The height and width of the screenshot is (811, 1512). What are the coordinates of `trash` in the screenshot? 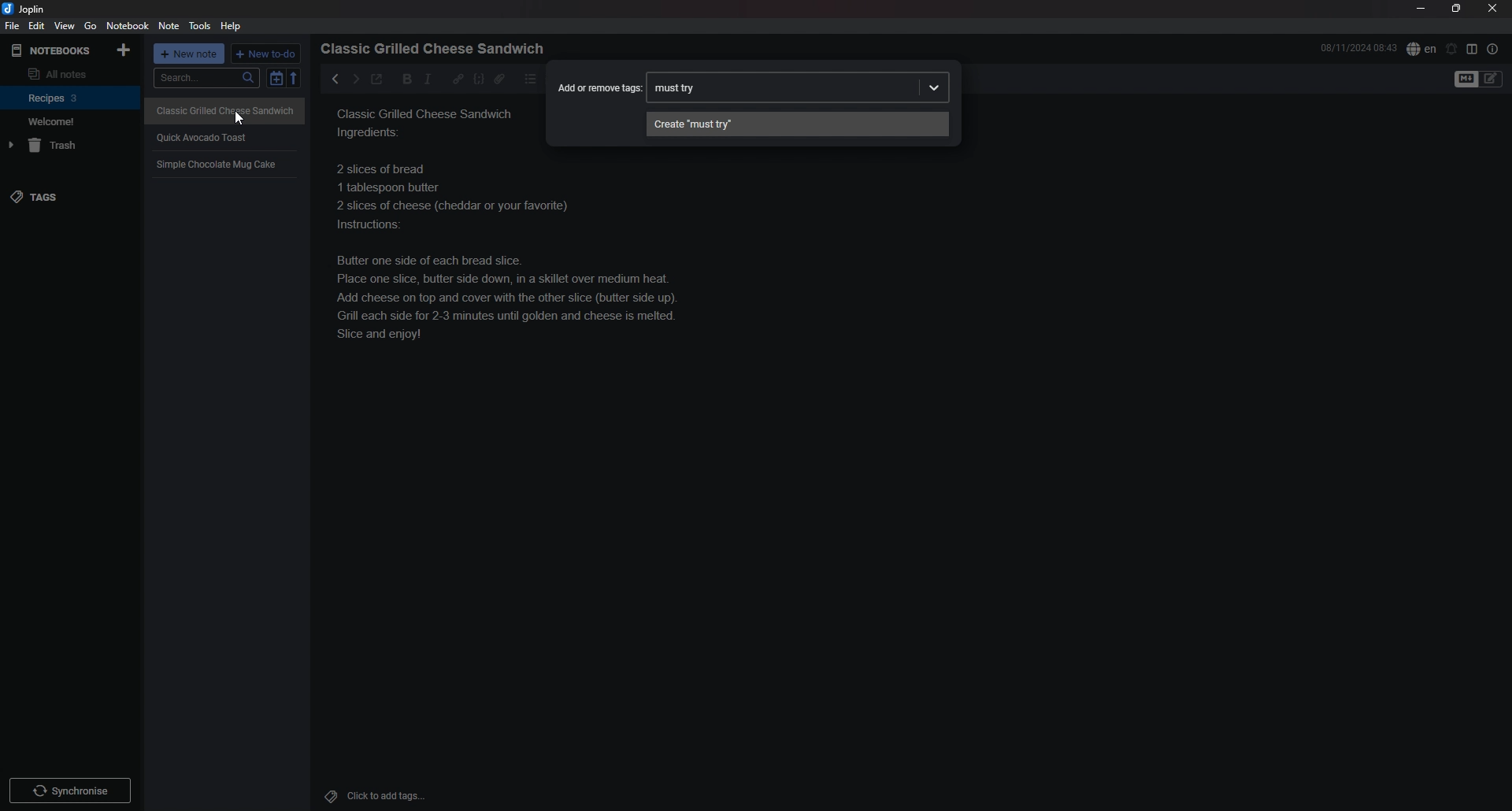 It's located at (72, 146).